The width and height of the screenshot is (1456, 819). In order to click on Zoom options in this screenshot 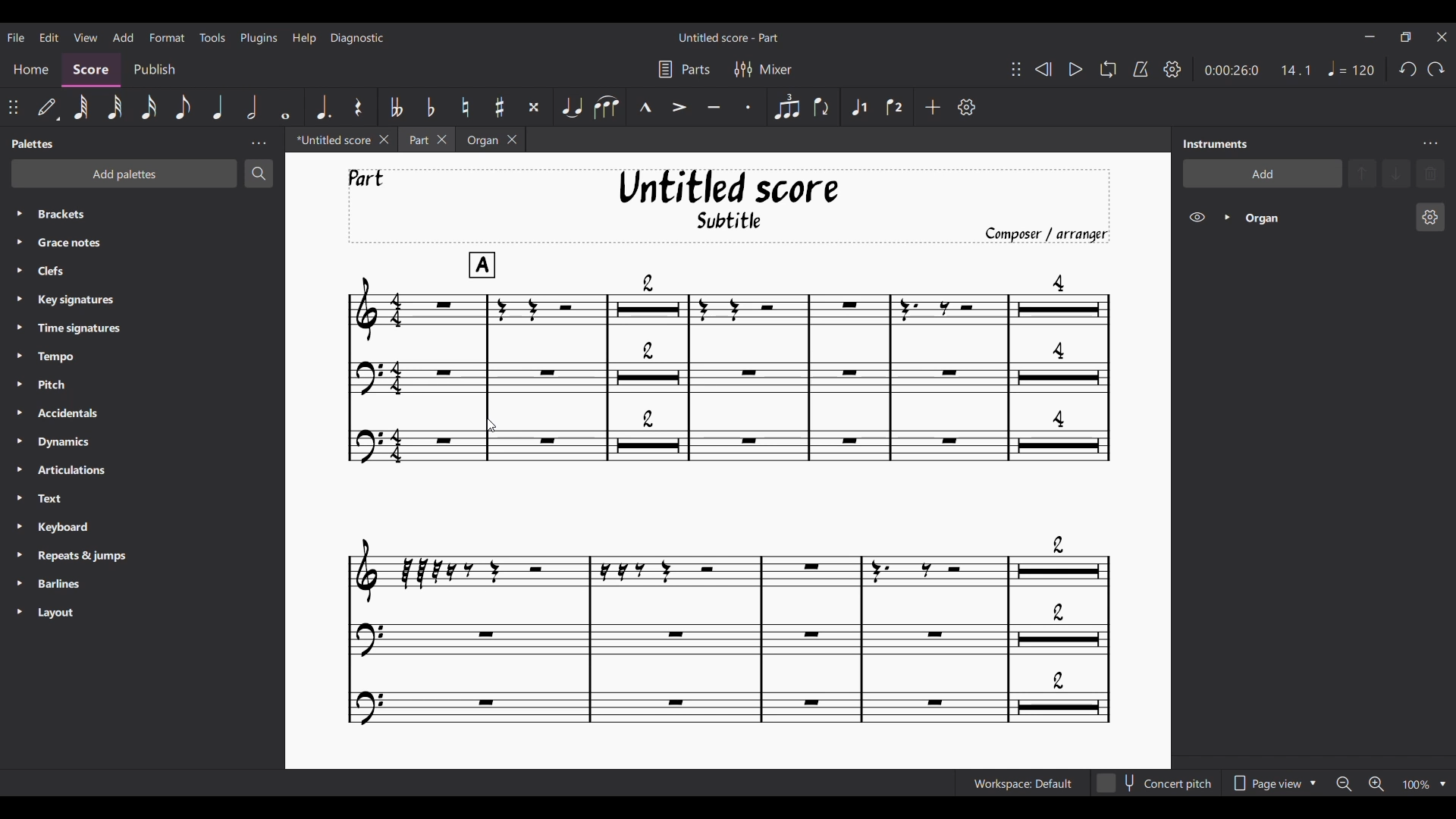, I will do `click(1442, 783)`.